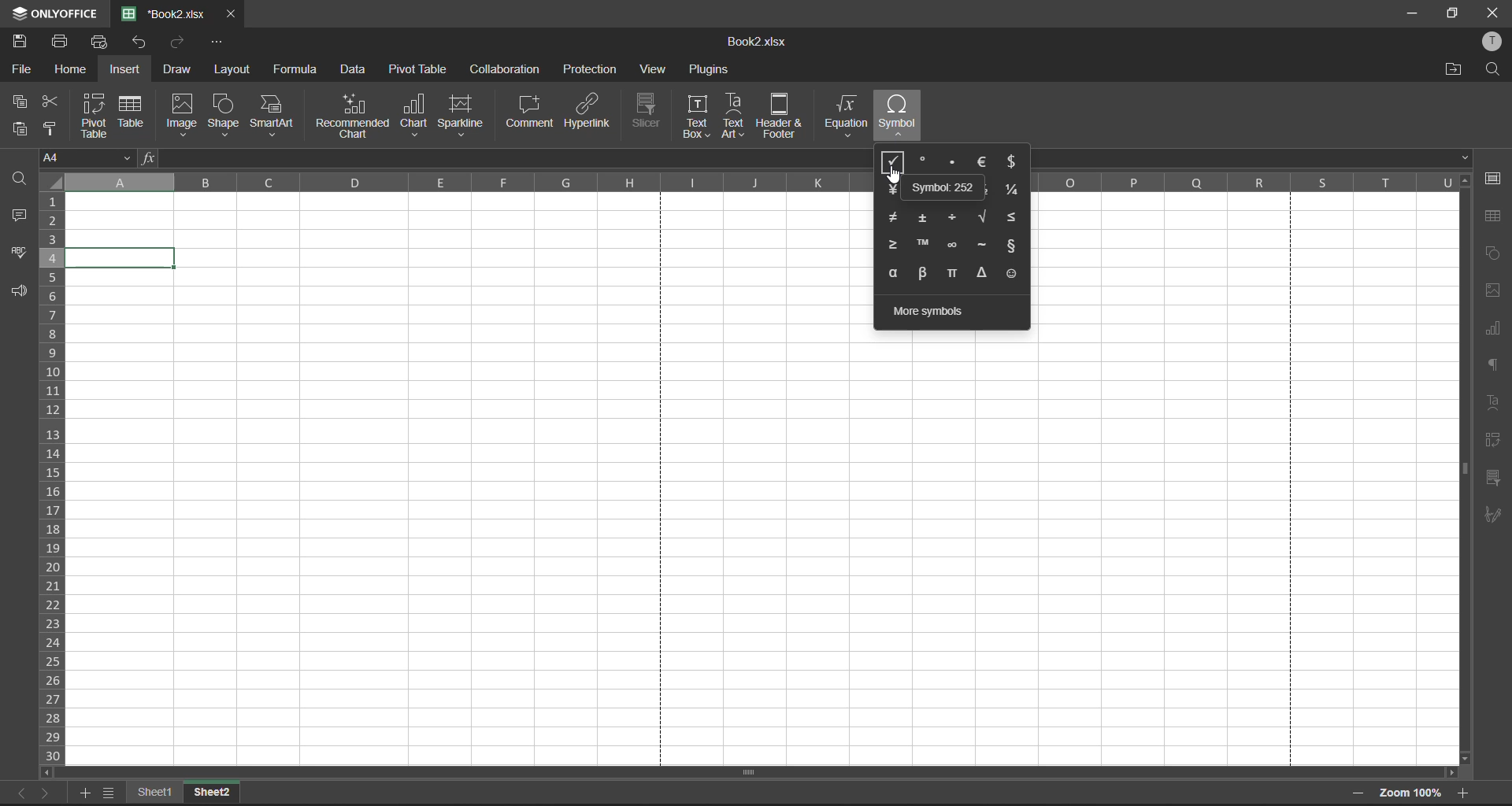 Image resolution: width=1512 pixels, height=806 pixels. Describe the element at coordinates (980, 216) in the screenshot. I see `square root` at that location.